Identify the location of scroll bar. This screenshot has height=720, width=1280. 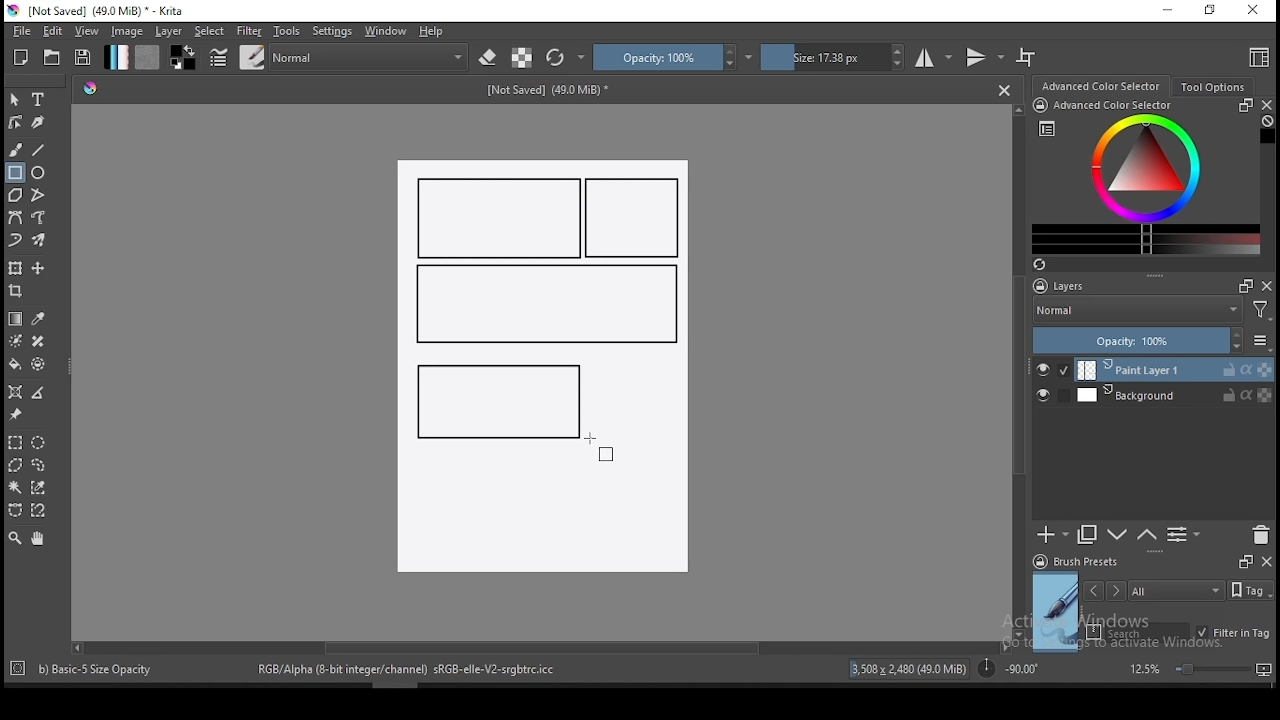
(539, 646).